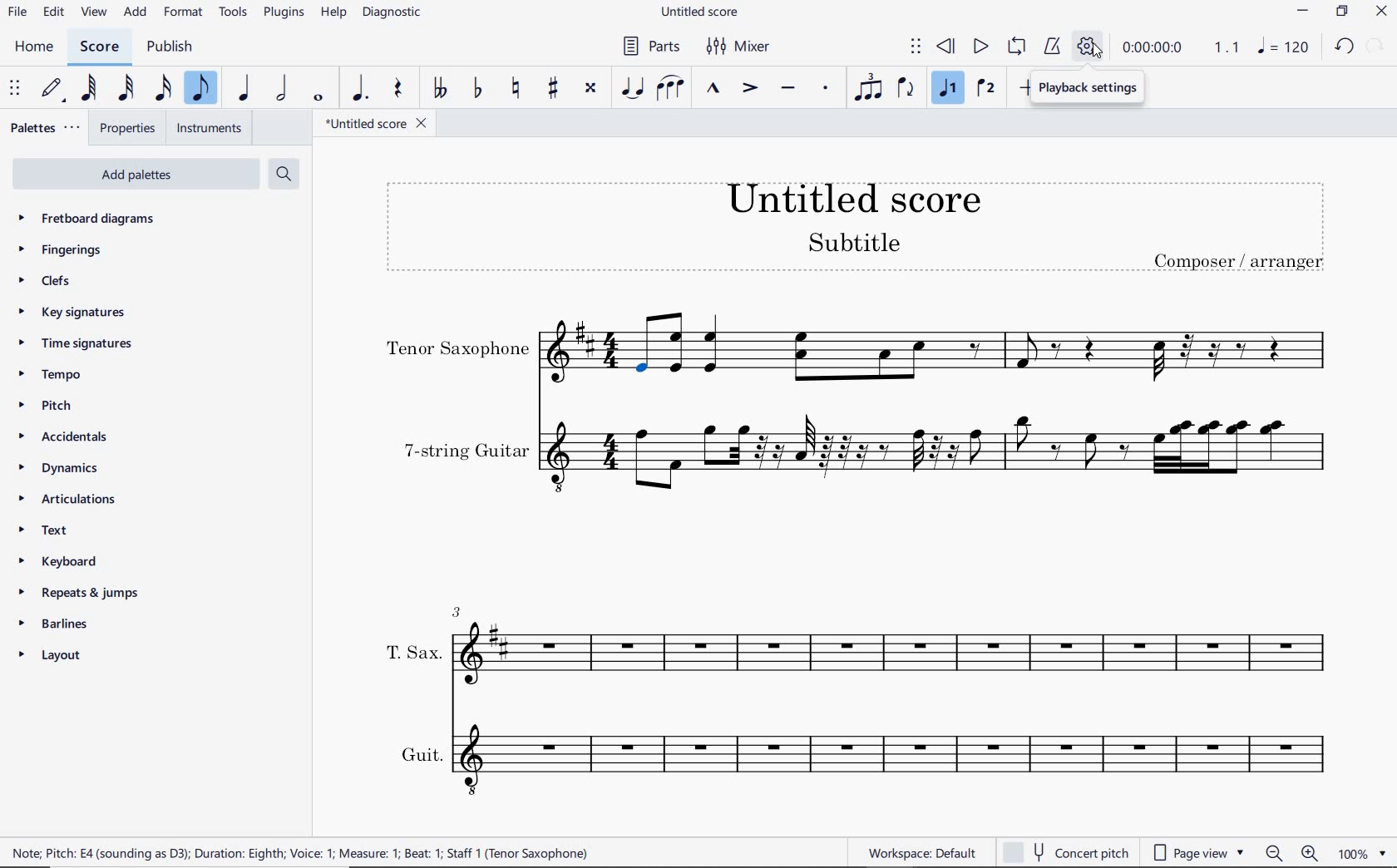 The height and width of the screenshot is (868, 1397). Describe the element at coordinates (632, 89) in the screenshot. I see `TIE` at that location.